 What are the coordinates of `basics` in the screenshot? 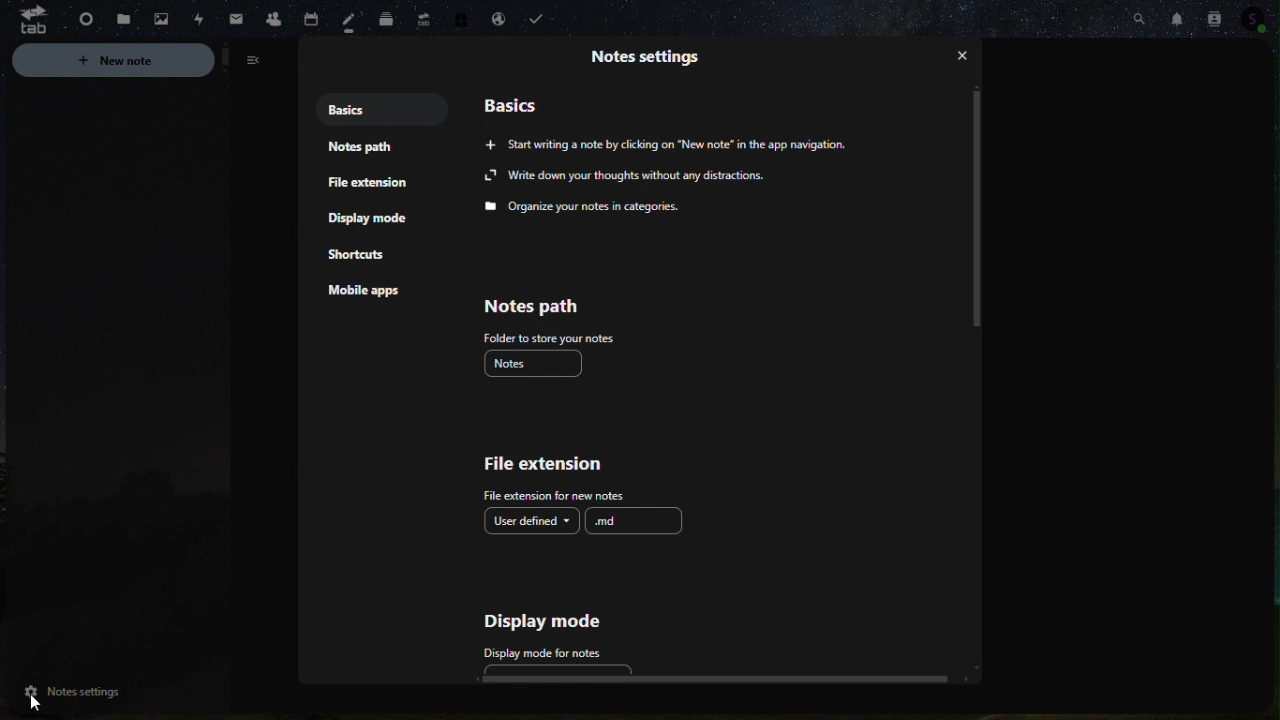 It's located at (359, 107).